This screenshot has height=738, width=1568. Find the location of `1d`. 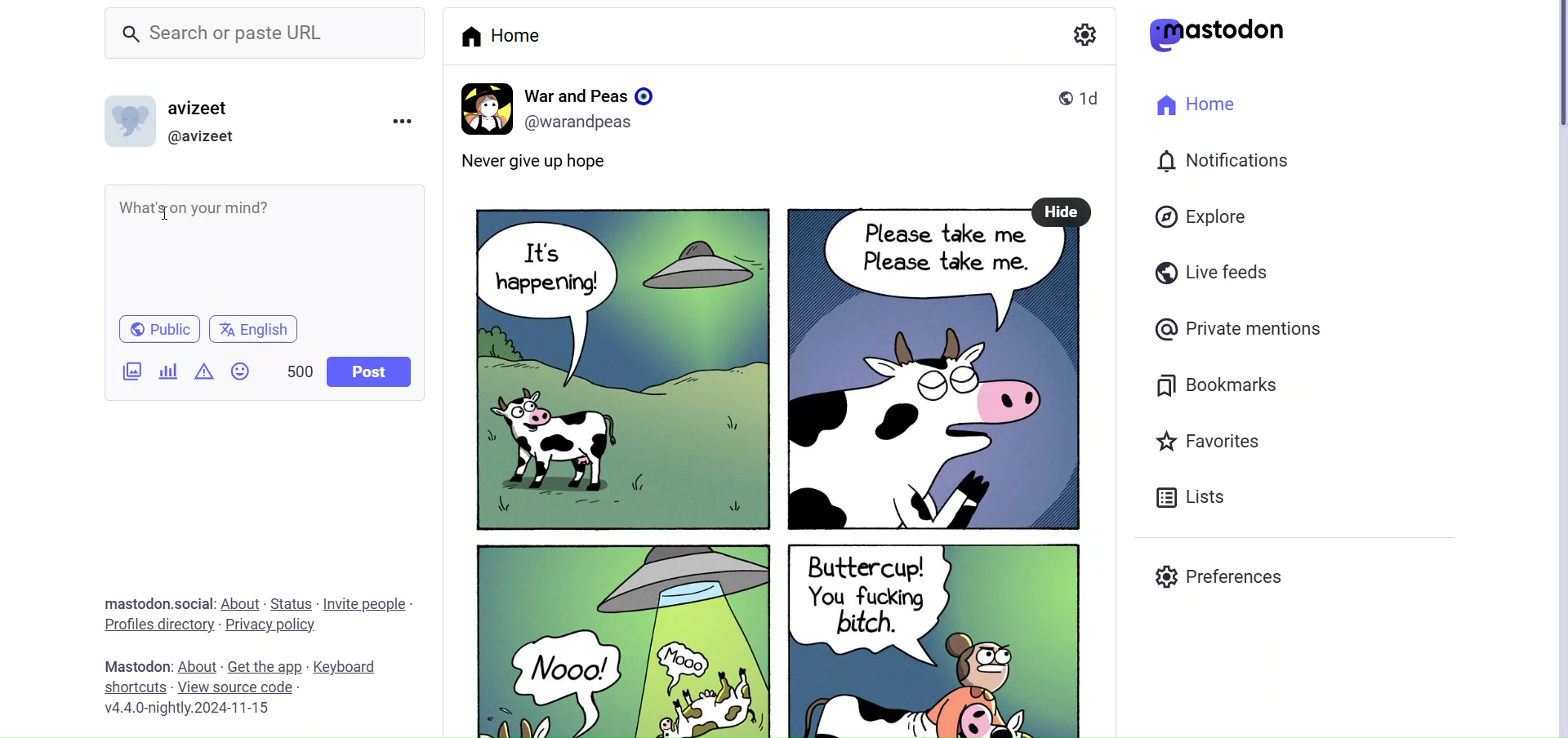

1d is located at coordinates (1098, 96).